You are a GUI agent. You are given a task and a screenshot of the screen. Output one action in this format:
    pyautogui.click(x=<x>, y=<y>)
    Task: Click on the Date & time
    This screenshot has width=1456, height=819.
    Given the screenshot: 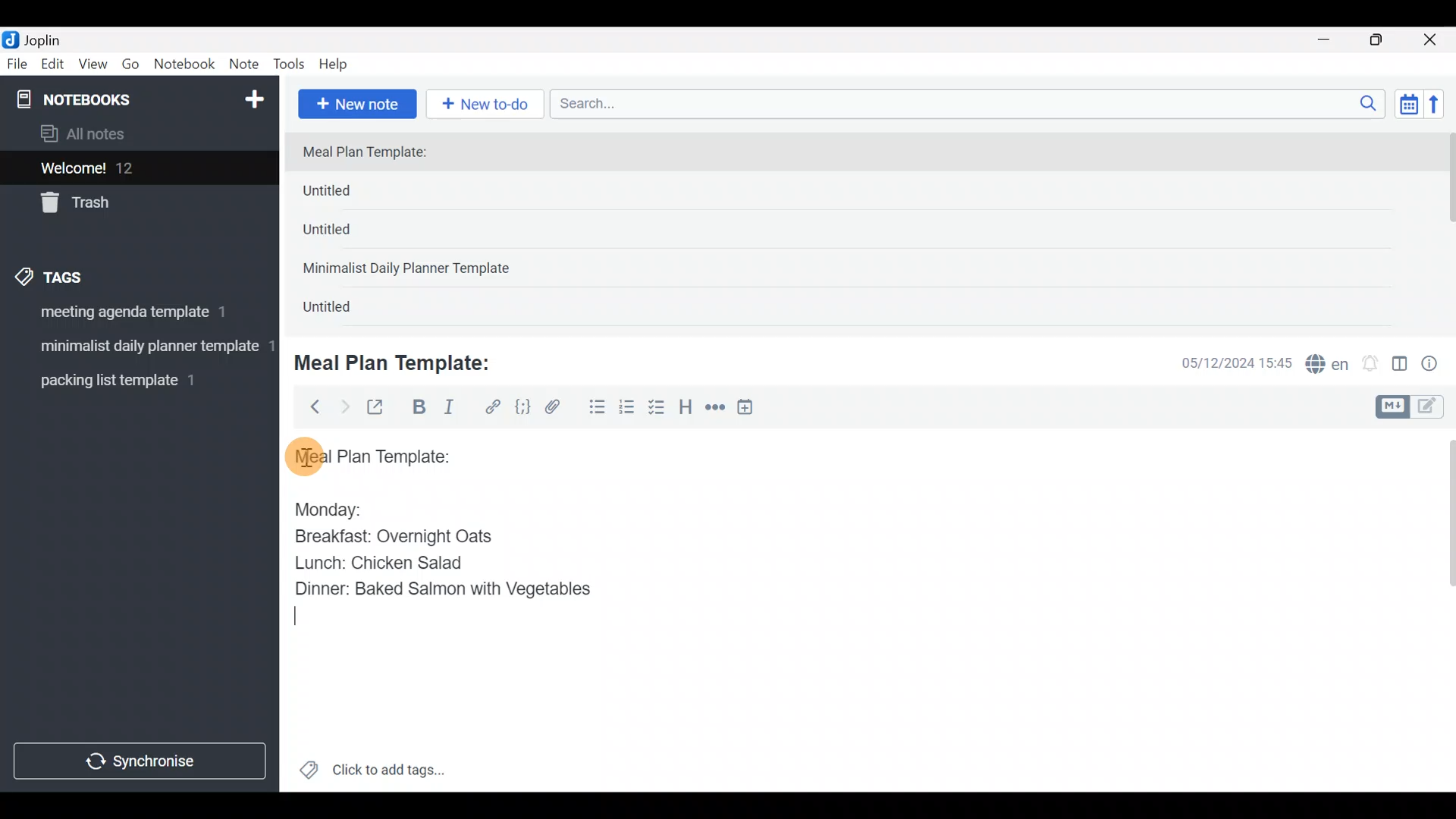 What is the action you would take?
    pyautogui.click(x=1225, y=362)
    